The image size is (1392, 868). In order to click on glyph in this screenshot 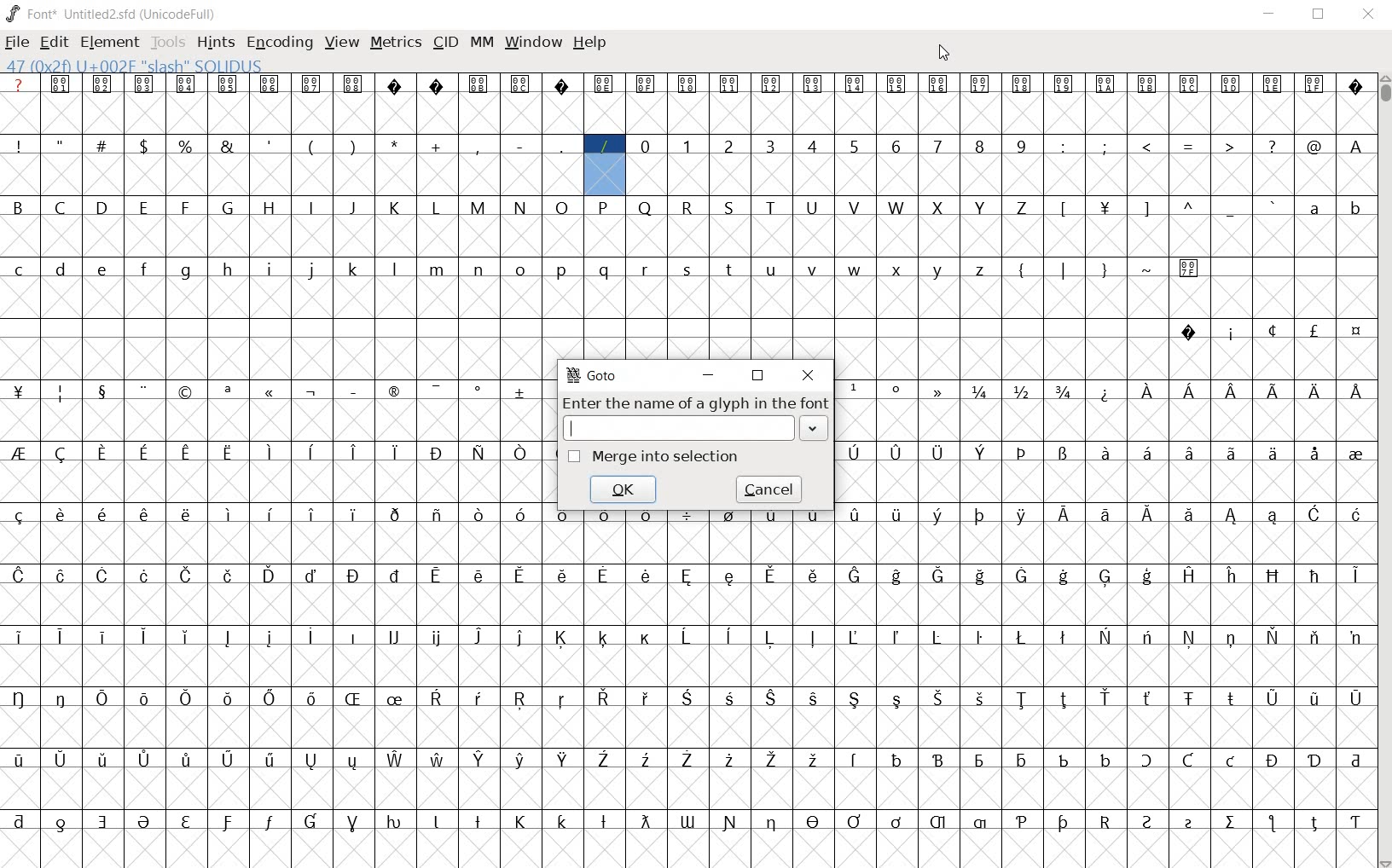, I will do `click(1314, 701)`.